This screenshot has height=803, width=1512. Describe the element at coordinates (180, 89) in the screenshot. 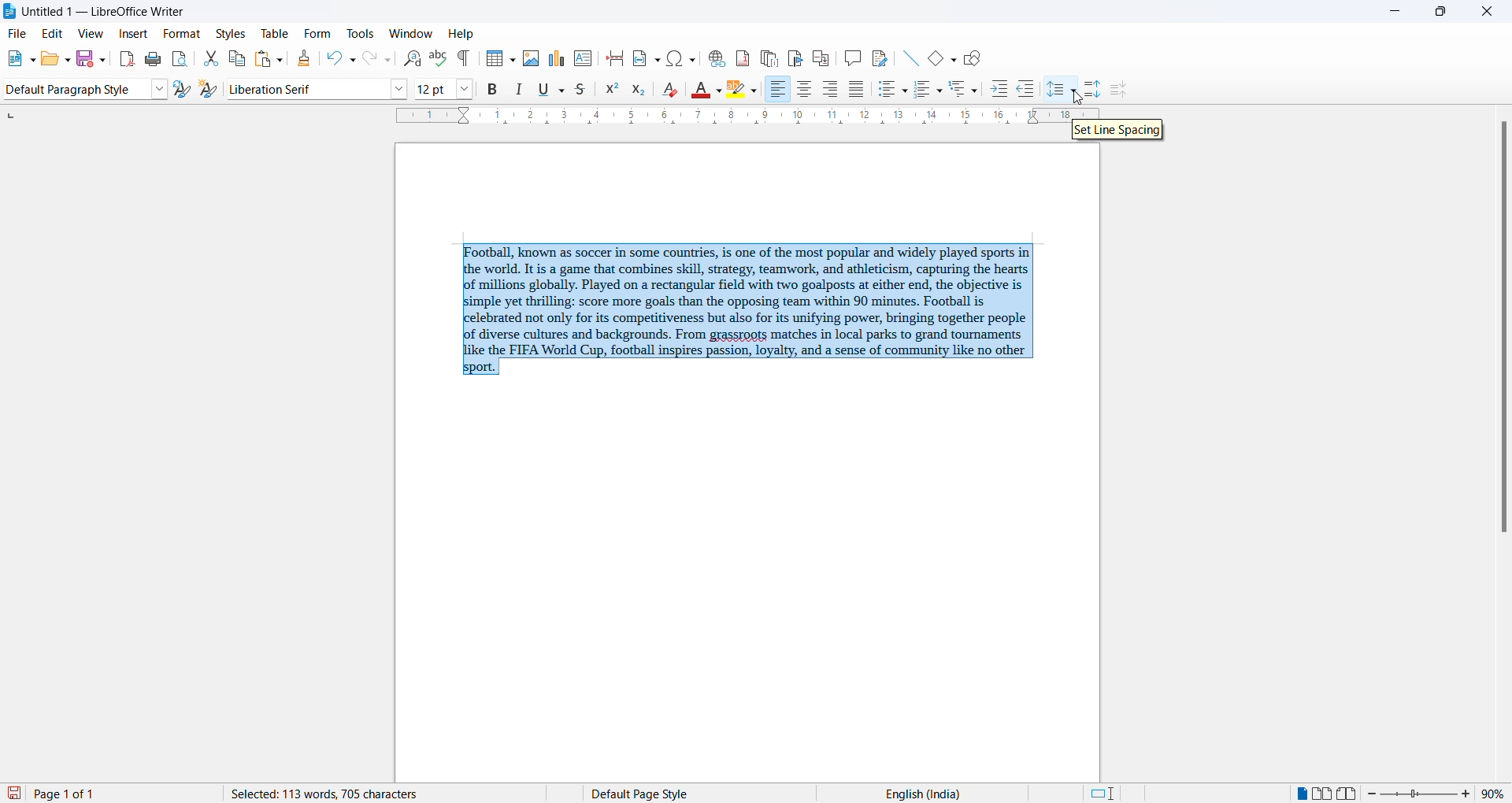

I see `update selected style` at that location.